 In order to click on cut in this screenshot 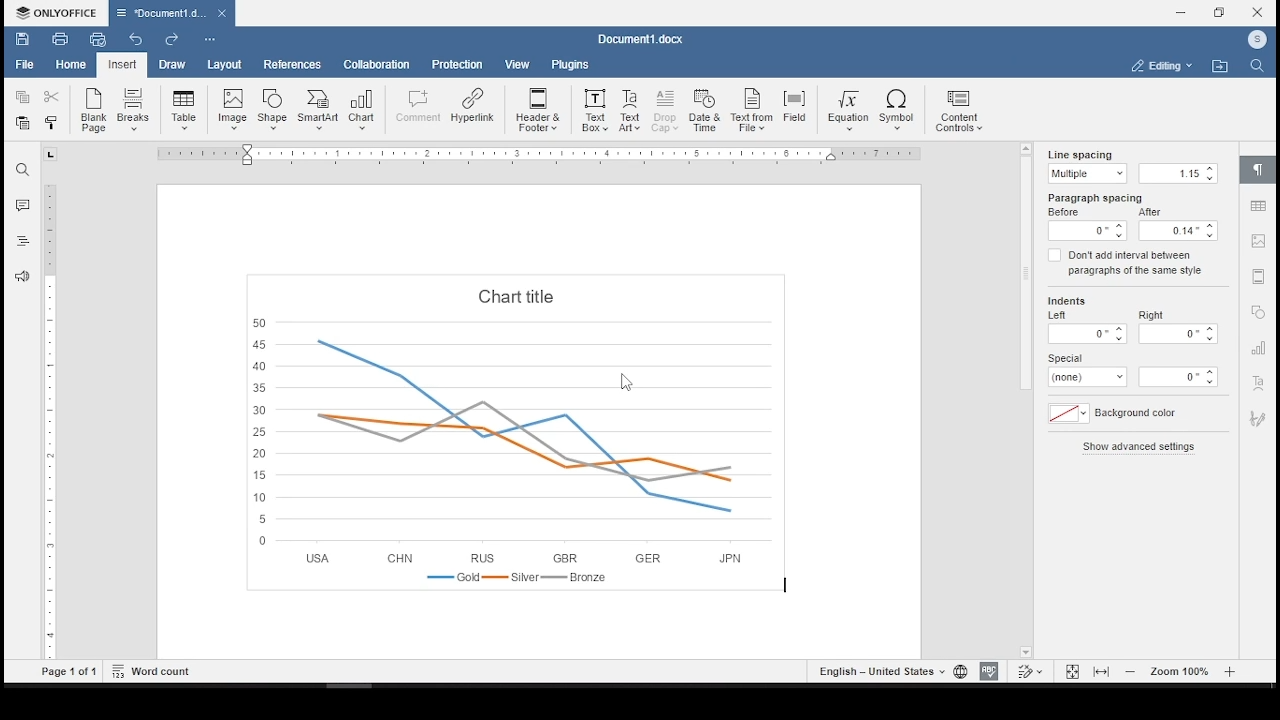, I will do `click(52, 98)`.